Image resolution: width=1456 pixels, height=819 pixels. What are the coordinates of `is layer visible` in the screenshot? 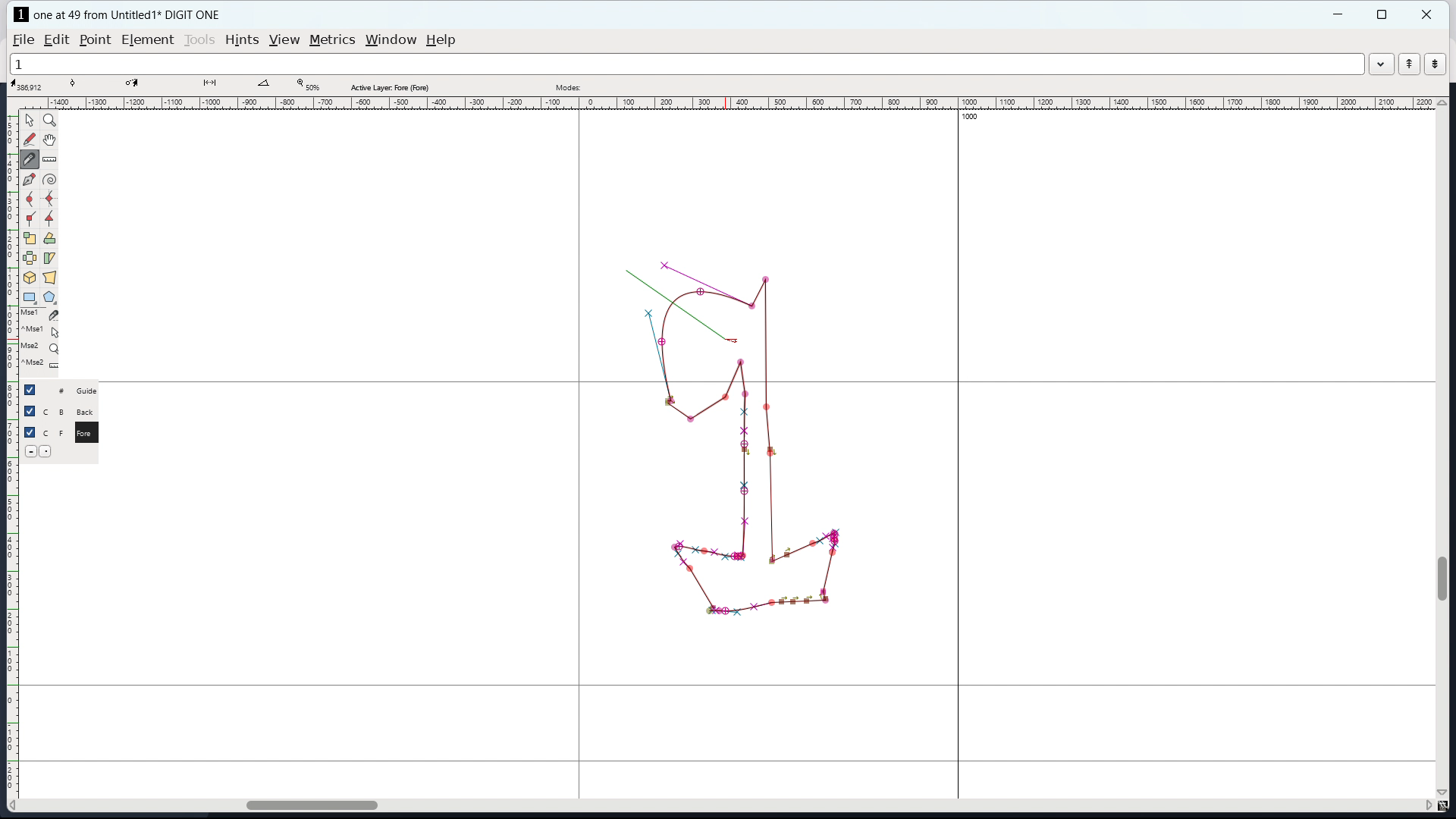 It's located at (30, 432).